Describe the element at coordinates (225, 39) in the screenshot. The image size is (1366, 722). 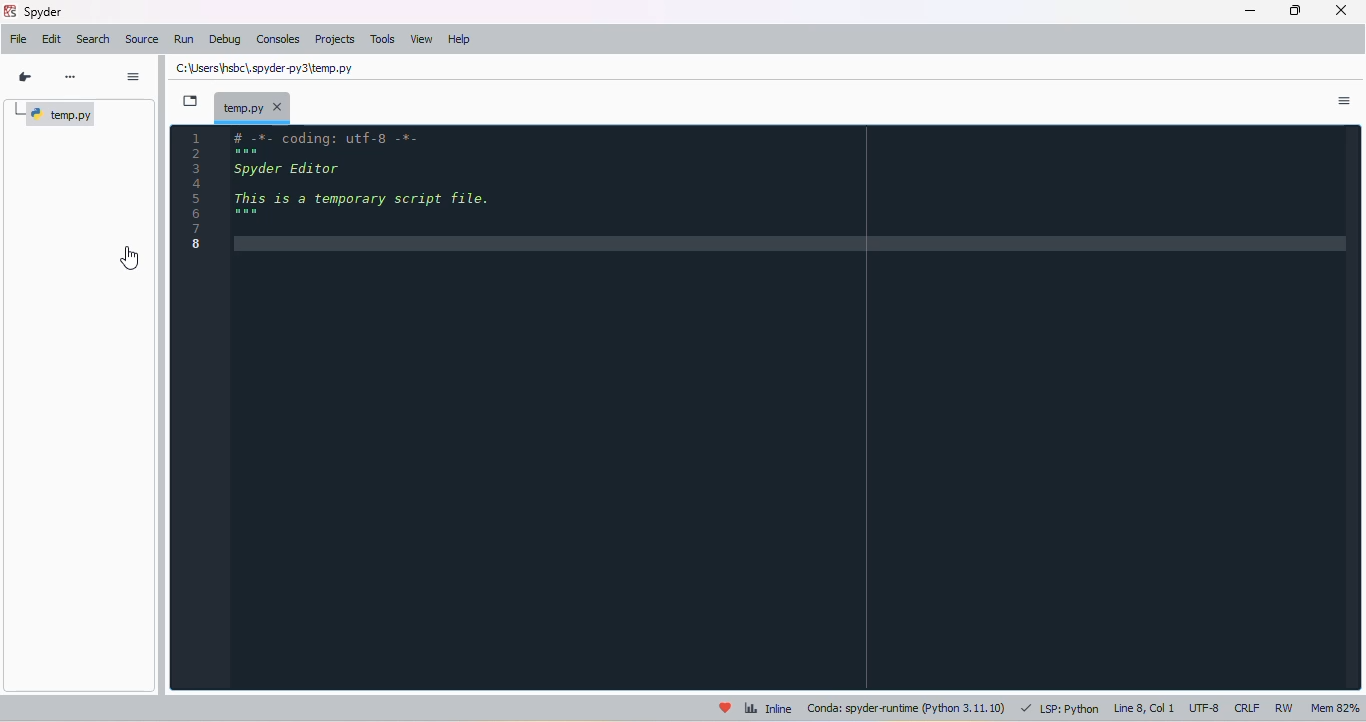
I see `debug` at that location.